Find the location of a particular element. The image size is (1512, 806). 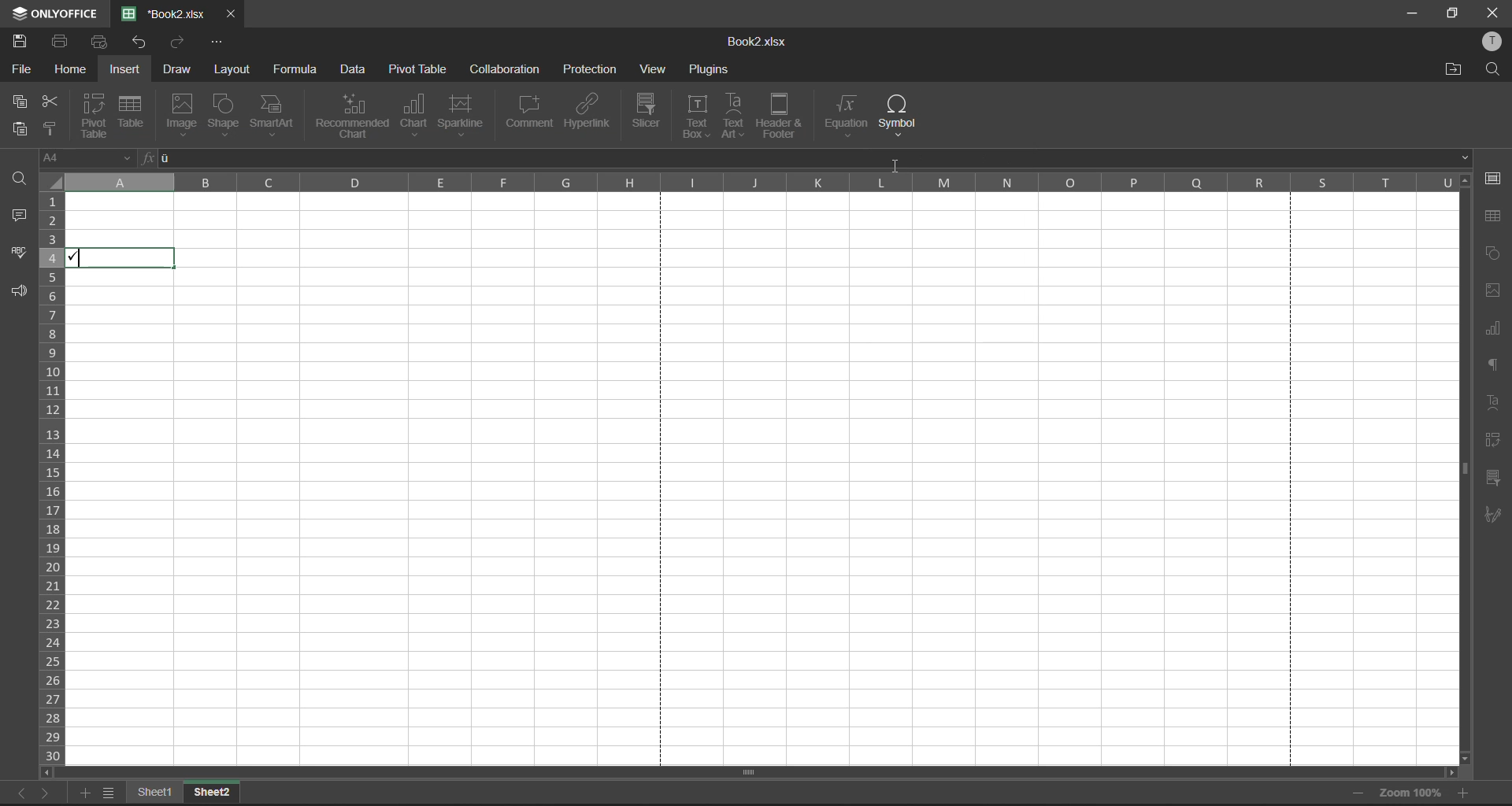

formula bar is located at coordinates (806, 157).